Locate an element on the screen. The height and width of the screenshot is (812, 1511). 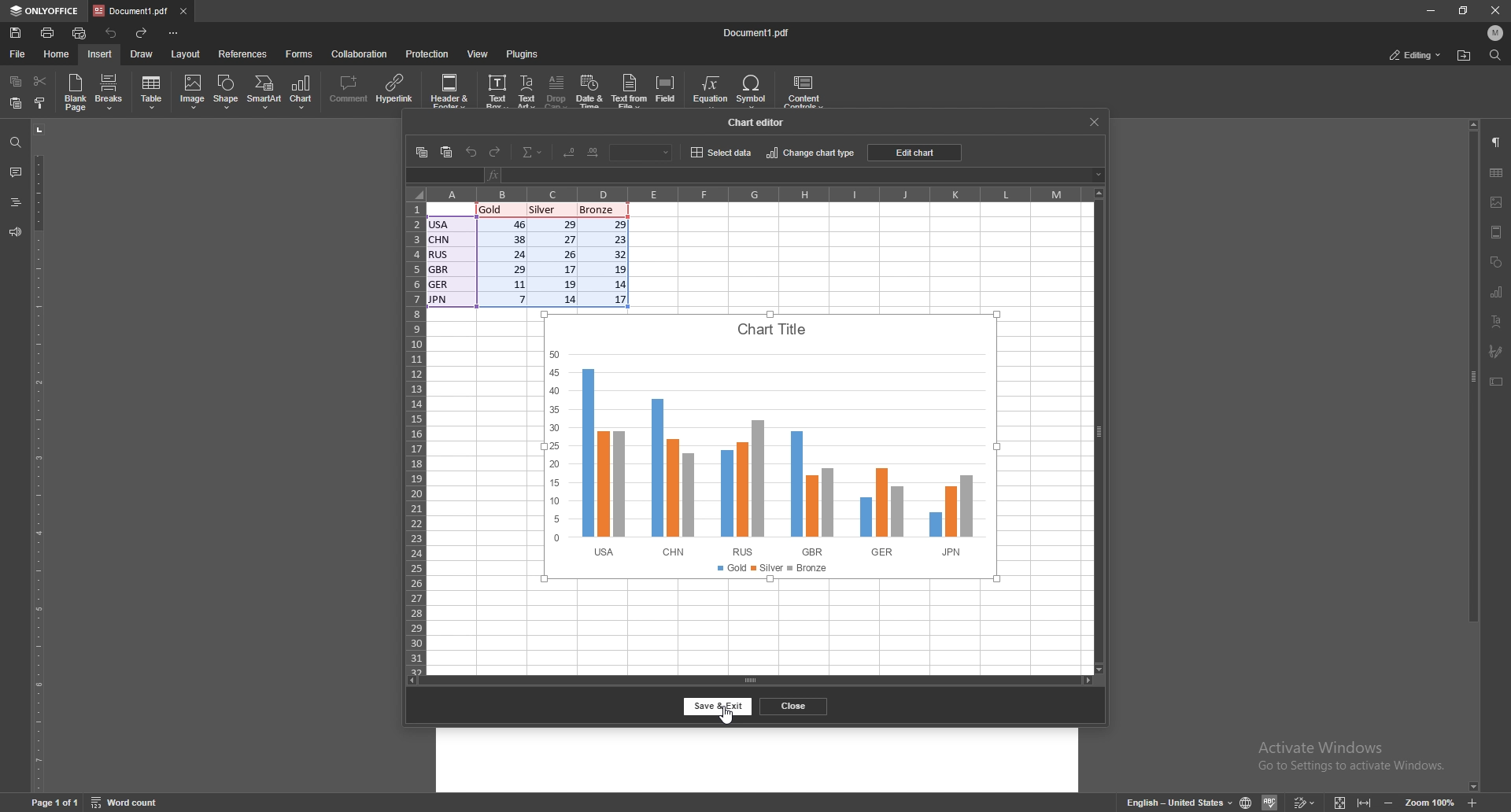
checkbox is located at coordinates (193, 90).